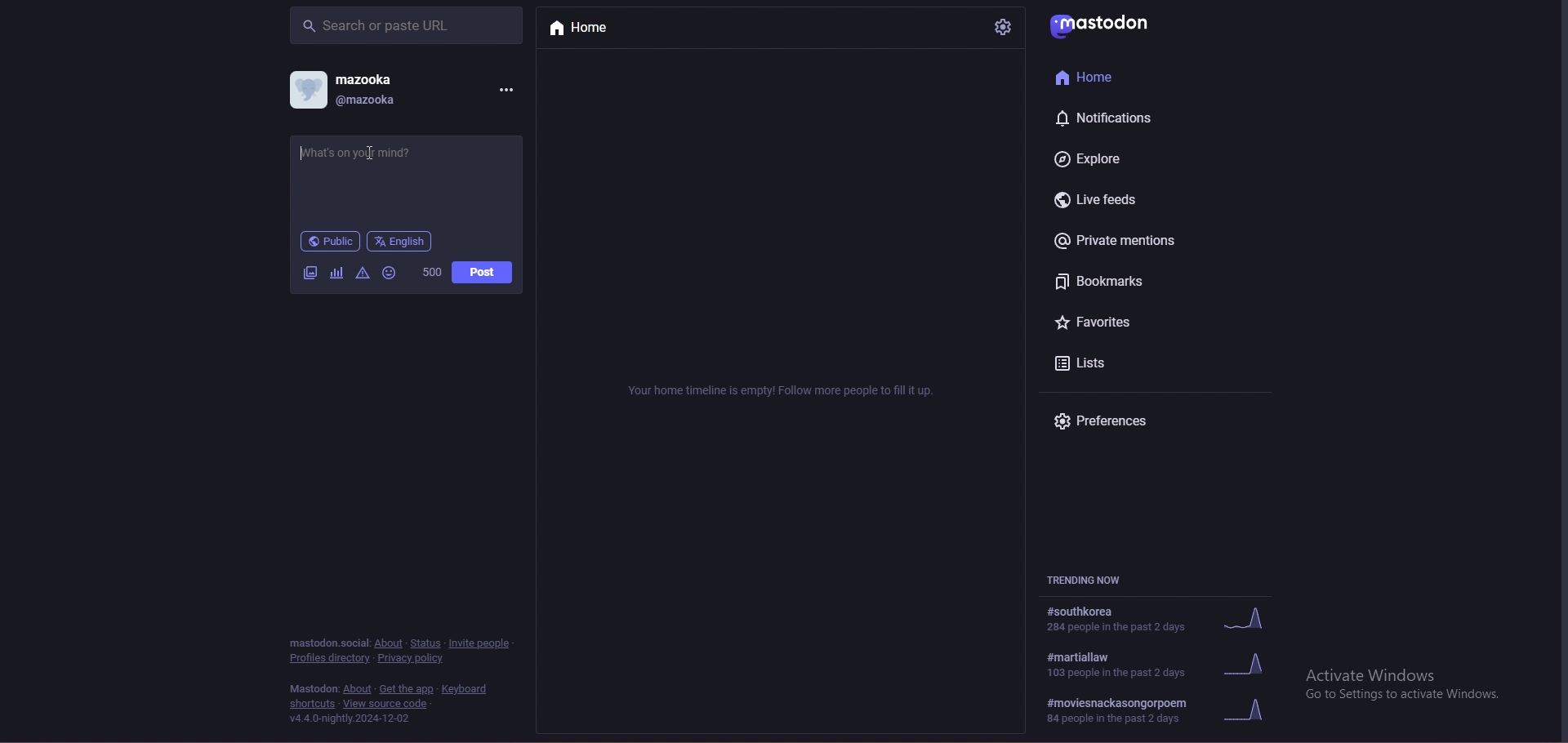 Image resolution: width=1568 pixels, height=743 pixels. I want to click on search bar, so click(408, 24).